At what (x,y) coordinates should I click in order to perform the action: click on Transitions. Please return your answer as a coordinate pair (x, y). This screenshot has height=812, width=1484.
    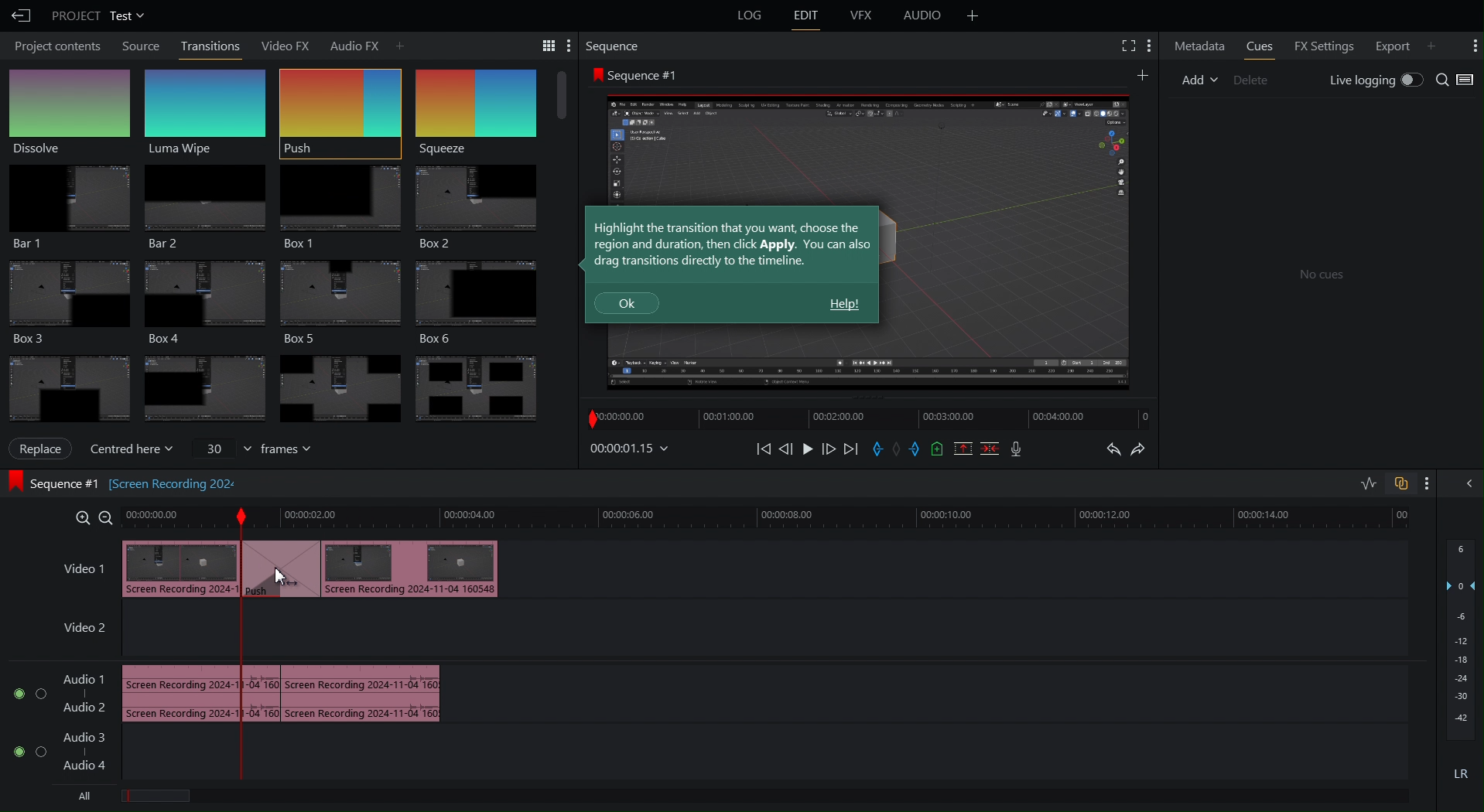
    Looking at the image, I should click on (211, 45).